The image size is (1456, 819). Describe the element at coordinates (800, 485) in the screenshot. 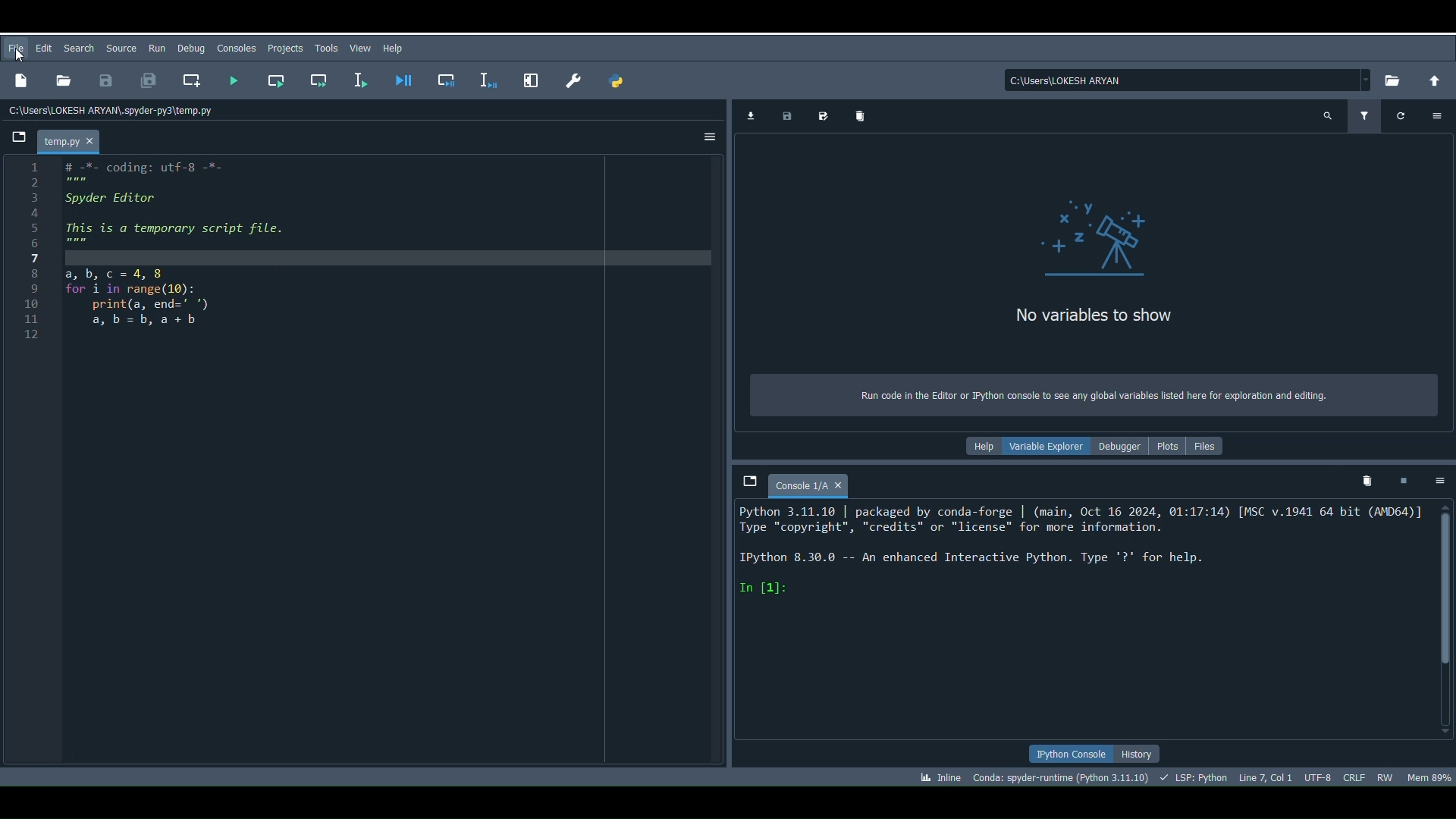

I see `Console 1/A` at that location.